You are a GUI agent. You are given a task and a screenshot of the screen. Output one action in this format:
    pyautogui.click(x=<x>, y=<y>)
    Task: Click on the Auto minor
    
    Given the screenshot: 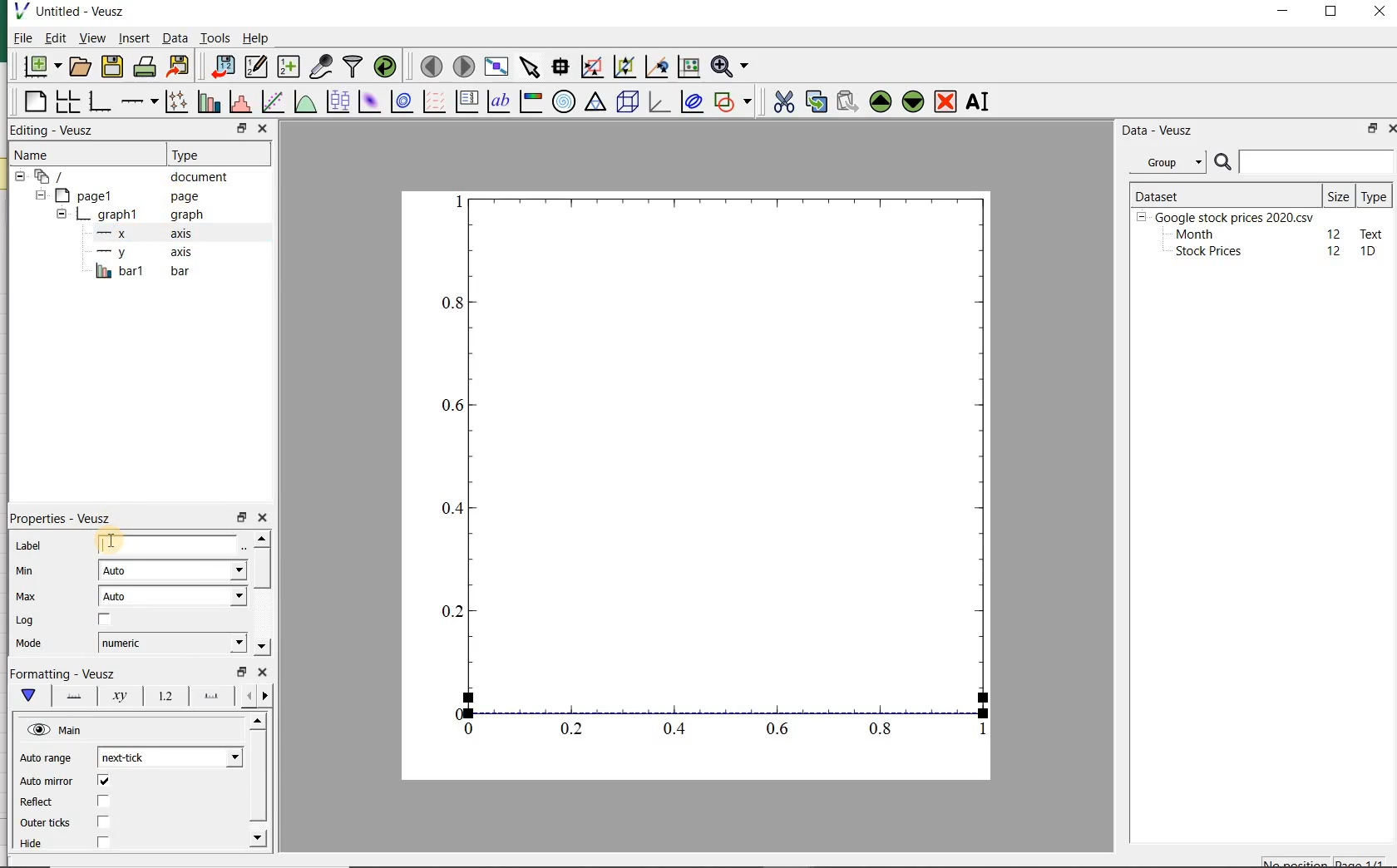 What is the action you would take?
    pyautogui.click(x=47, y=782)
    